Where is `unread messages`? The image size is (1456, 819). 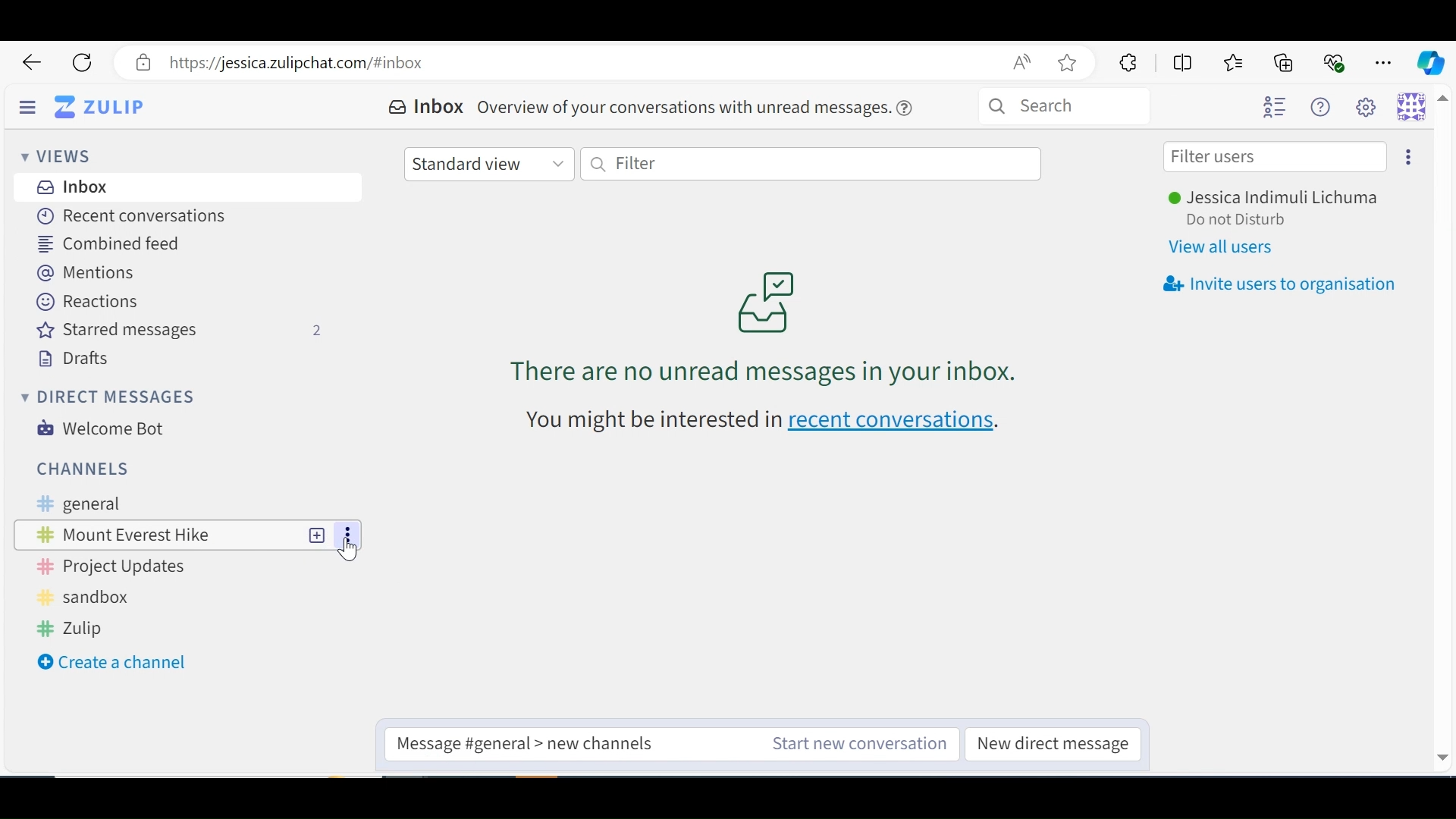
unread messages is located at coordinates (764, 326).